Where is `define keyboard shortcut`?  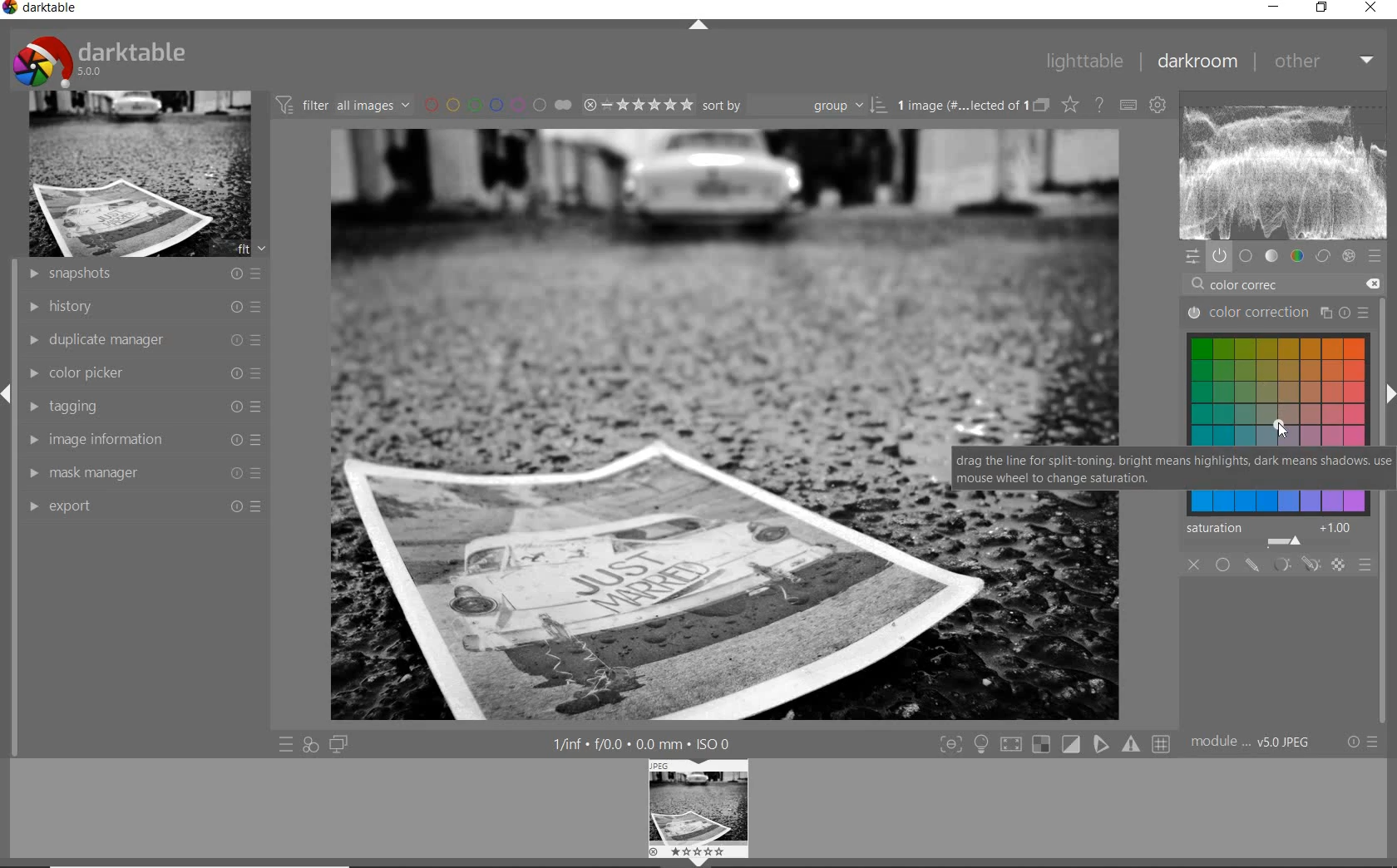
define keyboard shortcut is located at coordinates (1128, 104).